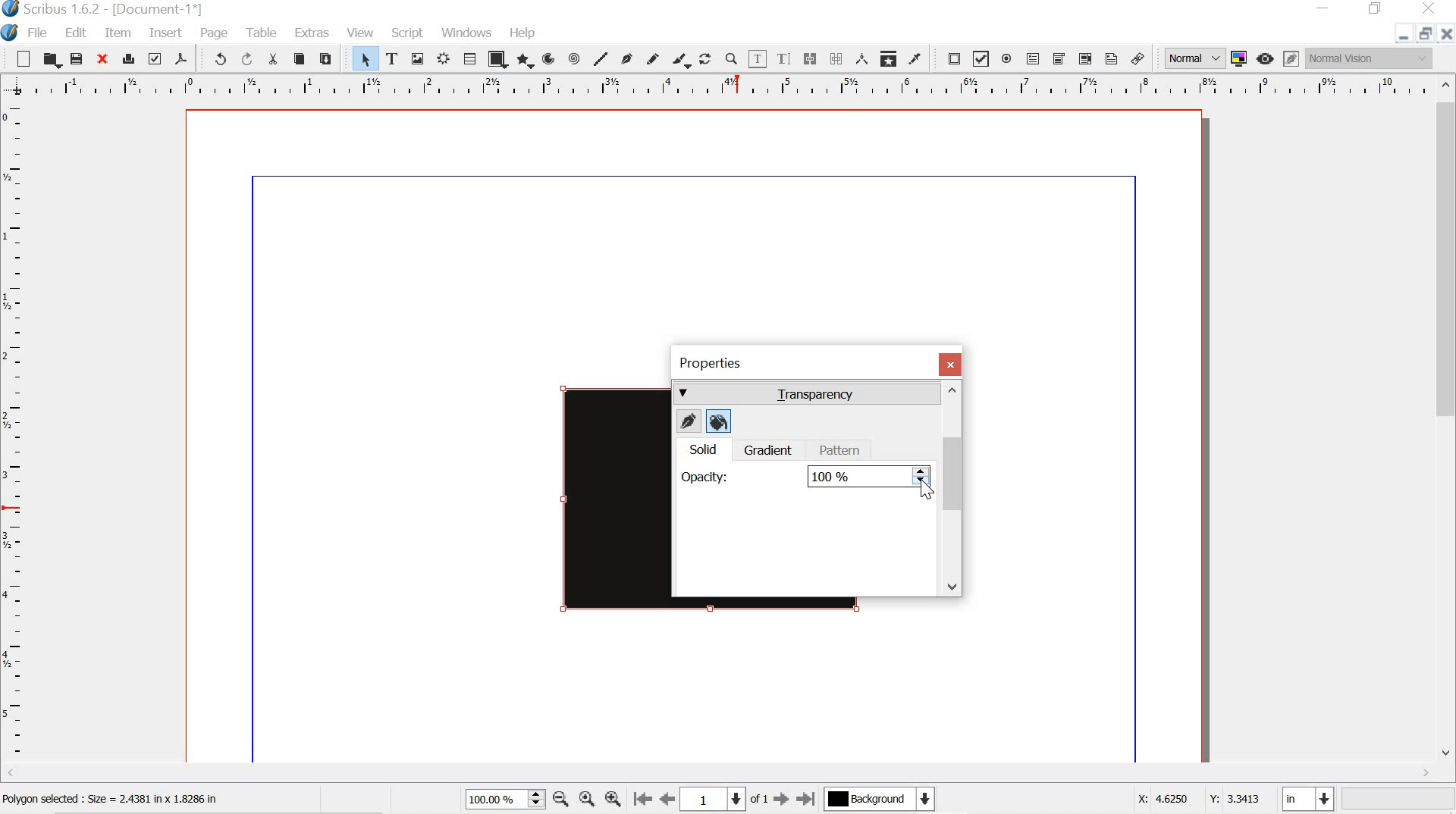 The image size is (1456, 814). I want to click on bezier curve, so click(628, 58).